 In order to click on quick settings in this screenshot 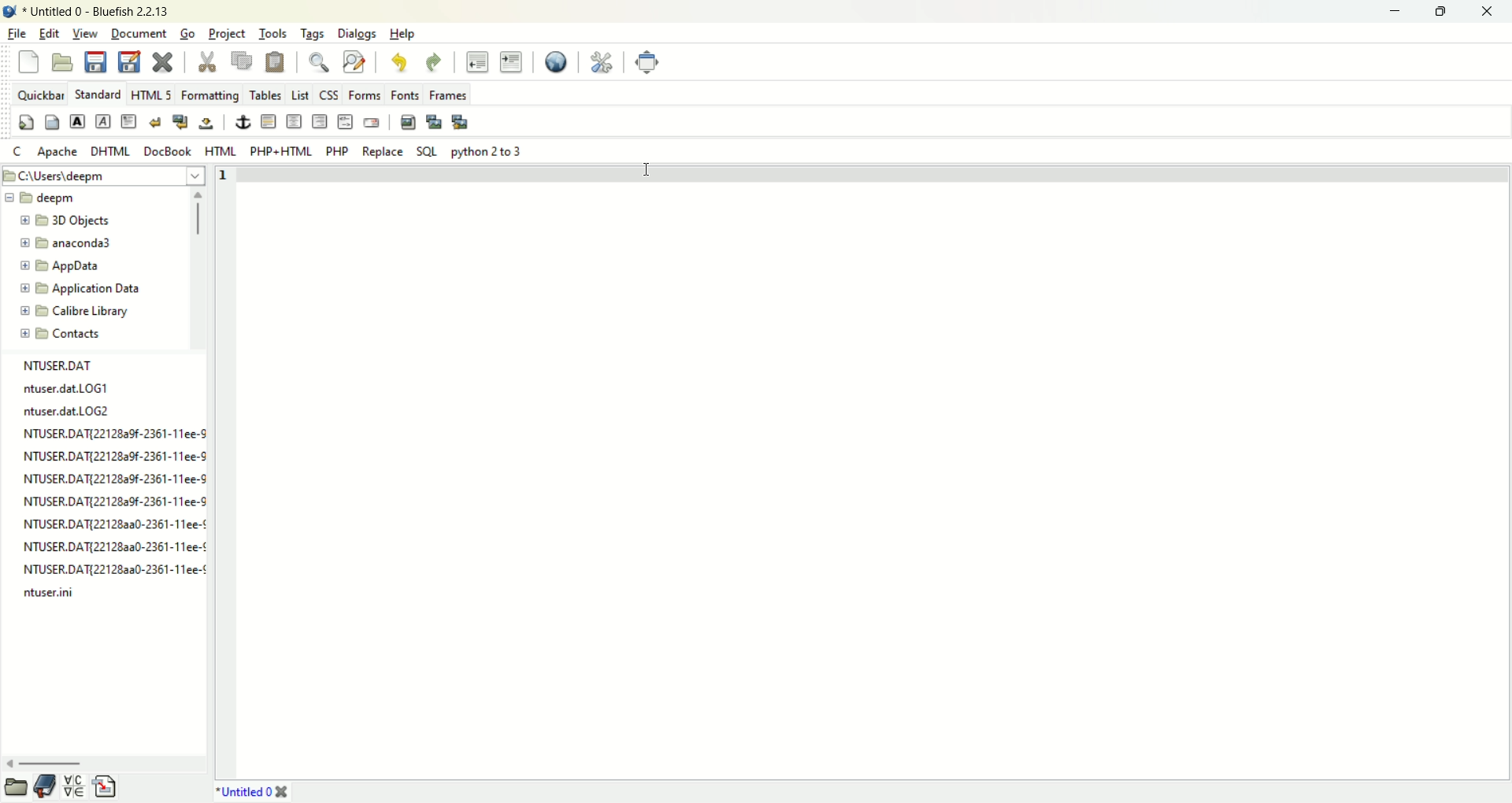, I will do `click(28, 122)`.